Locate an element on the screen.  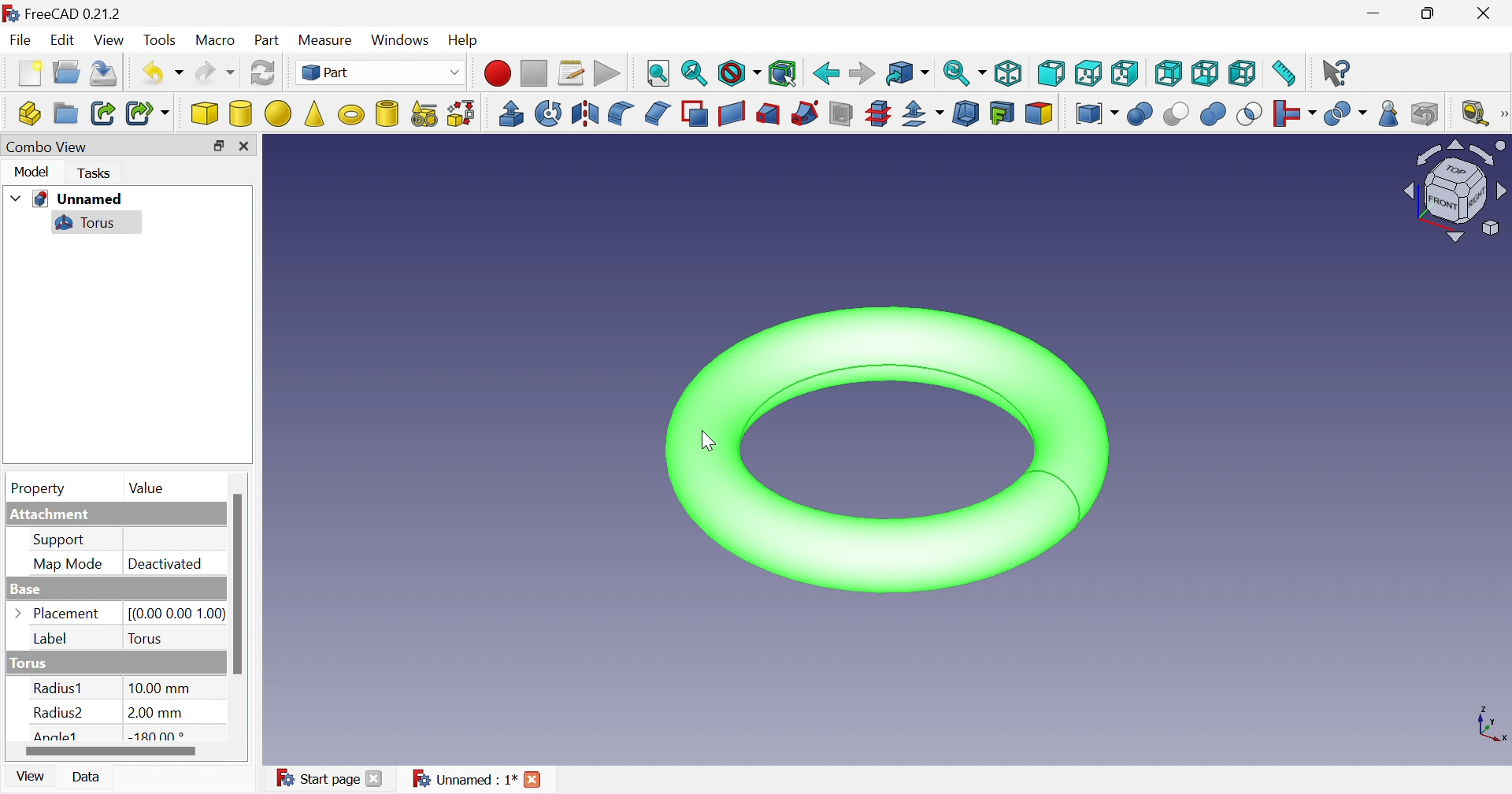
Tools is located at coordinates (158, 39).